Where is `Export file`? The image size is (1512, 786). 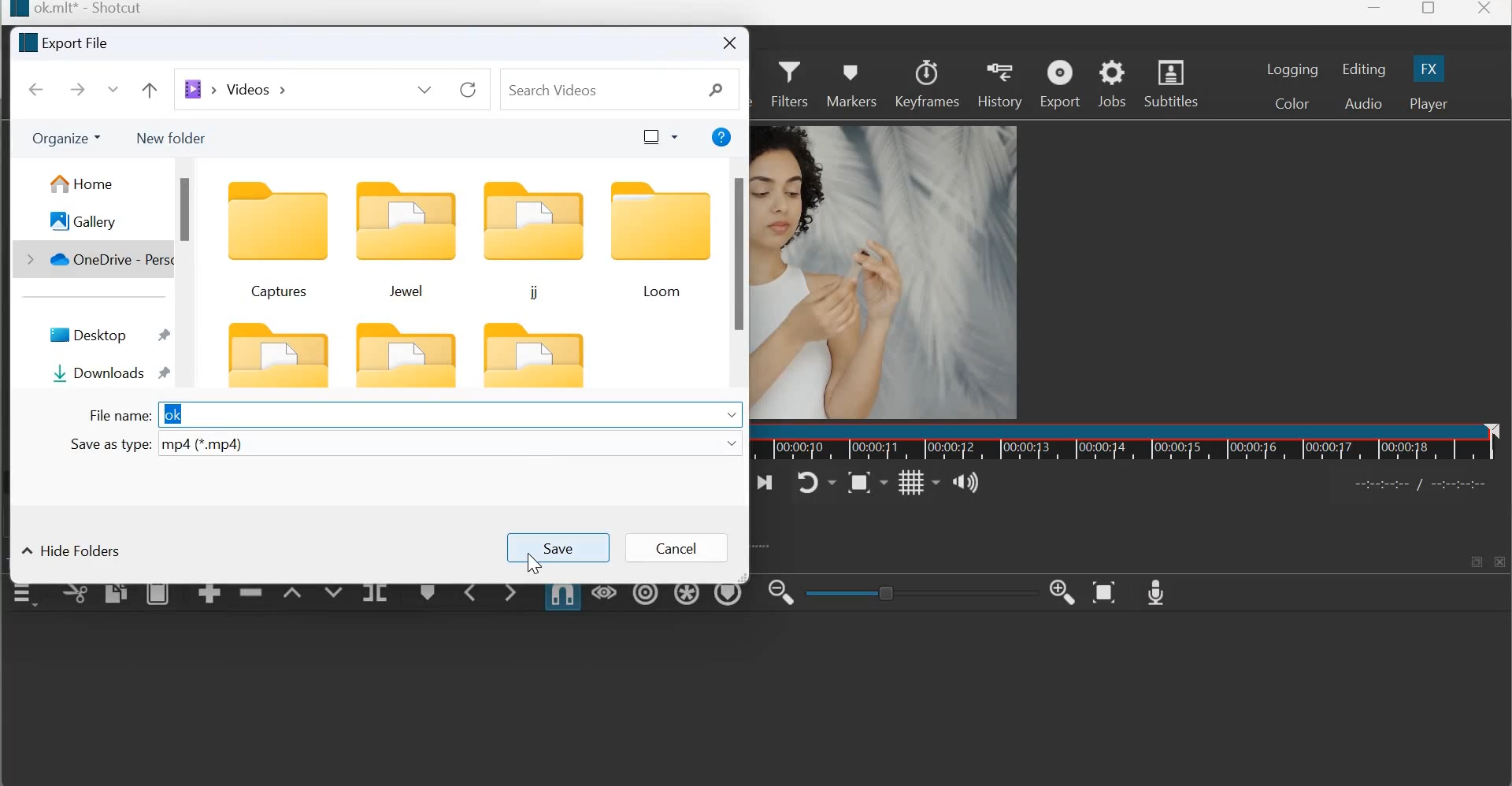
Export file is located at coordinates (65, 43).